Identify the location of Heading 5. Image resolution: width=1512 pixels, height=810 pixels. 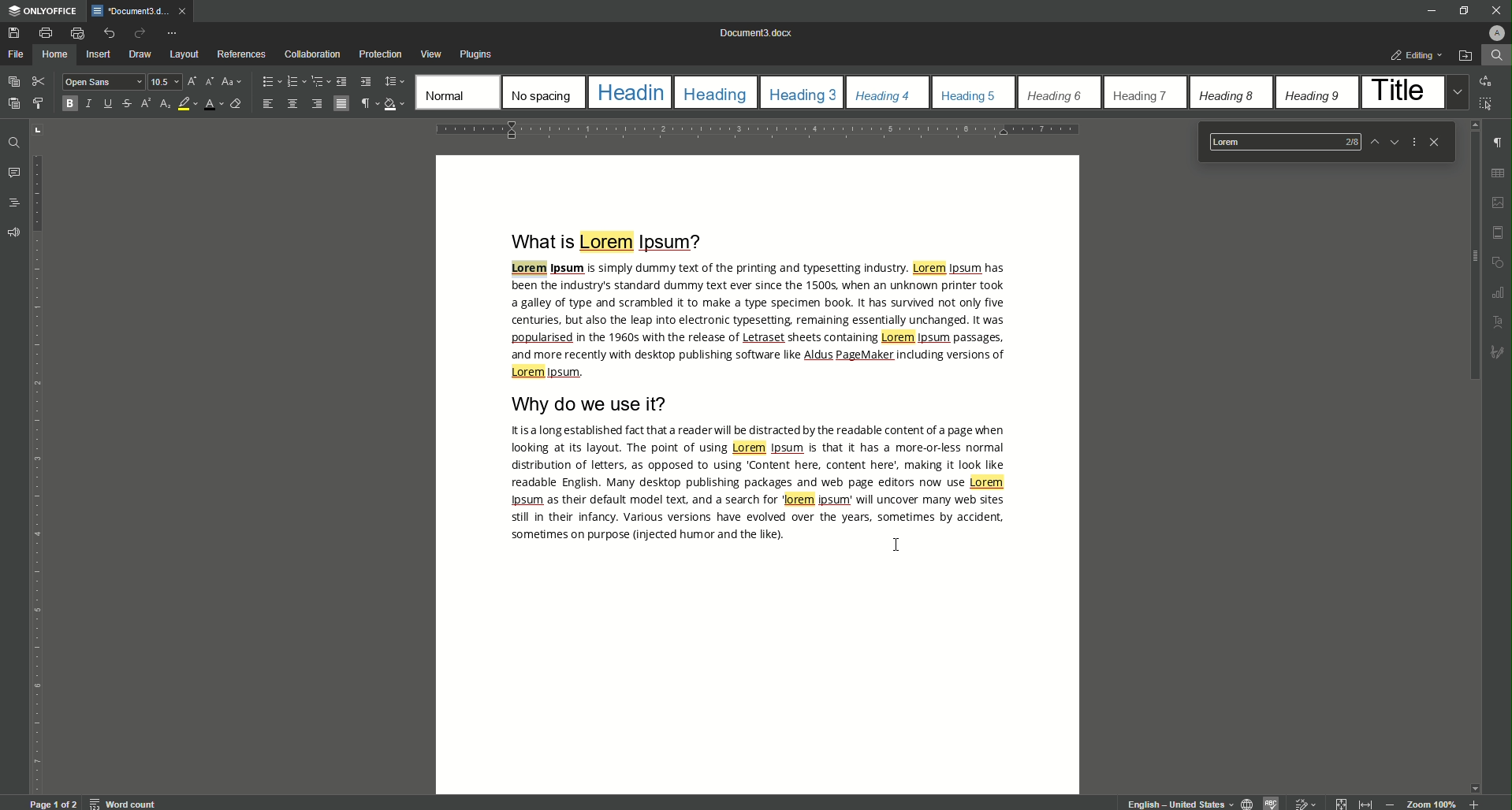
(970, 95).